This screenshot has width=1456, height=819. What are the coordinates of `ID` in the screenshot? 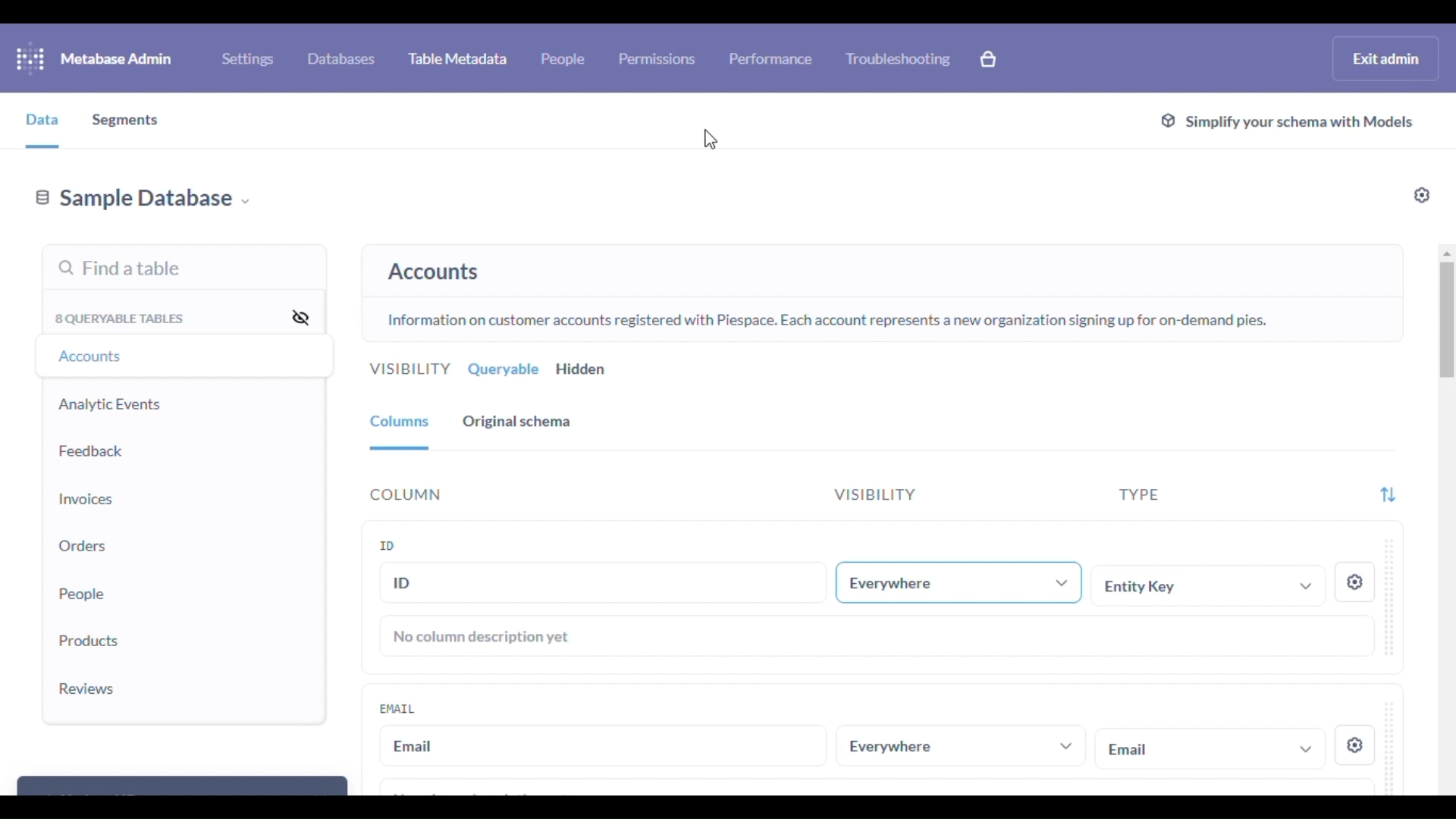 It's located at (388, 544).